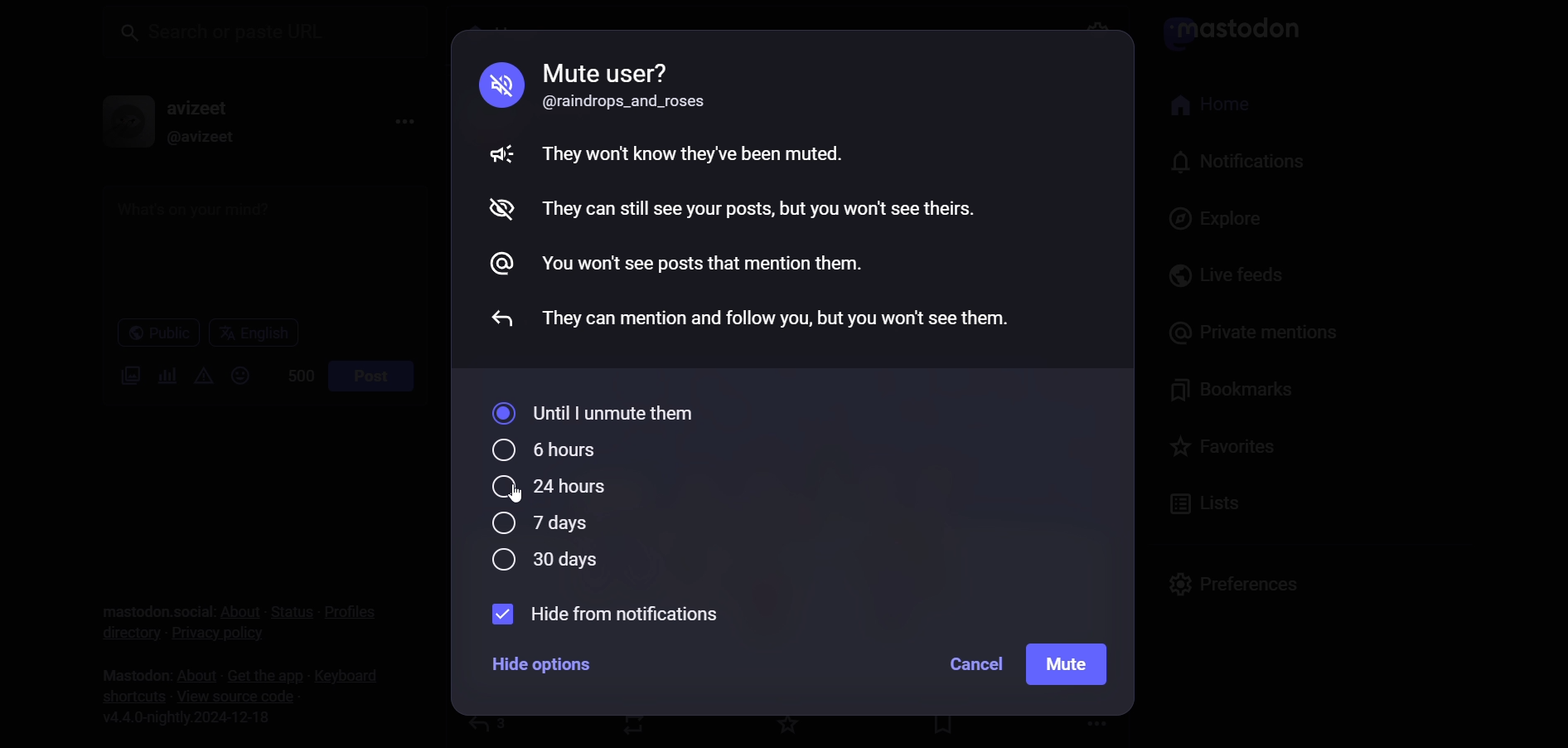 This screenshot has height=748, width=1568. What do you see at coordinates (541, 525) in the screenshot?
I see `7 days` at bounding box center [541, 525].